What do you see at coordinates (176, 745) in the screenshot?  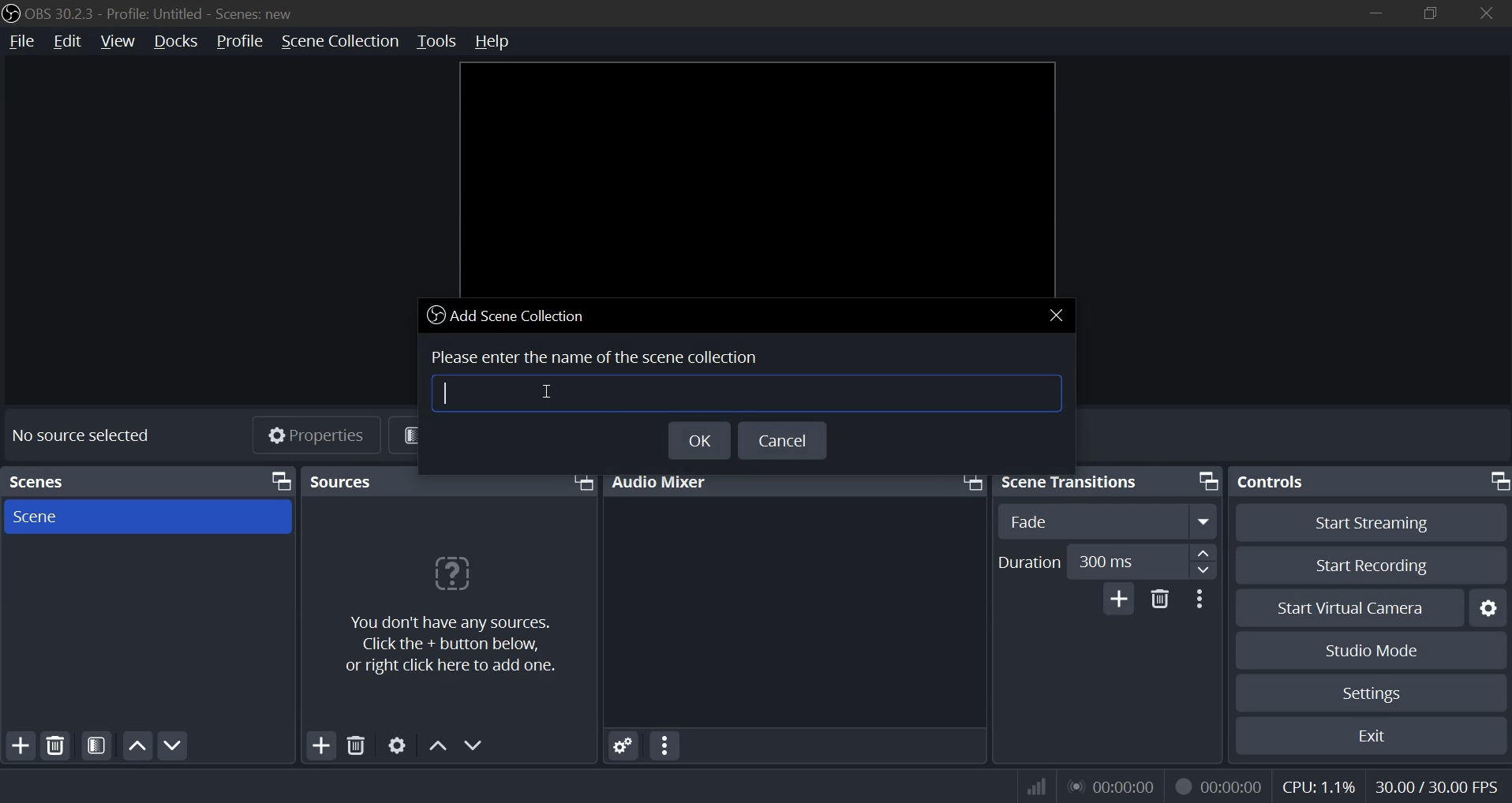 I see `down scene` at bounding box center [176, 745].